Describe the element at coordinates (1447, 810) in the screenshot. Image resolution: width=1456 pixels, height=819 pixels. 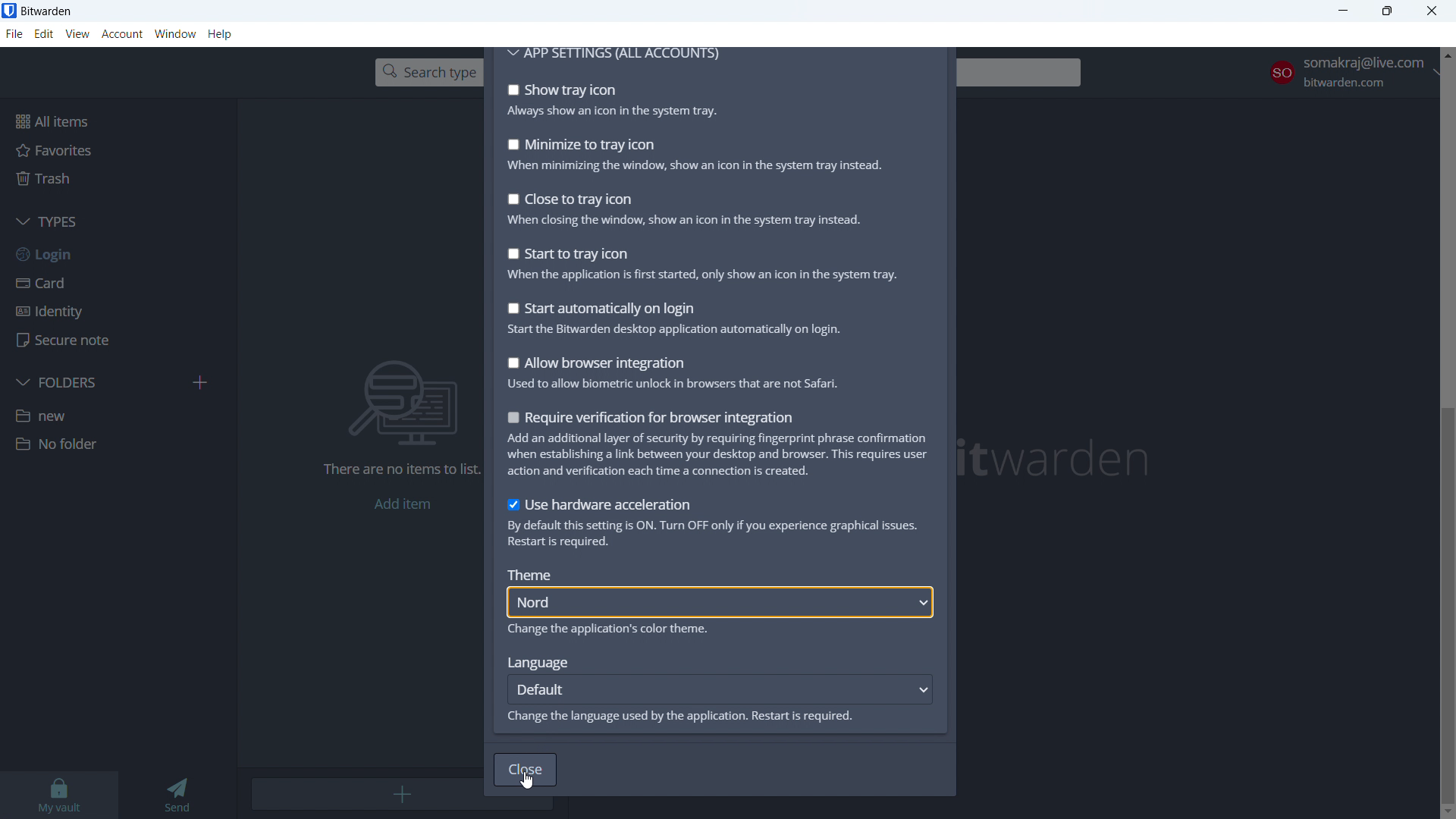
I see `scroll down` at that location.